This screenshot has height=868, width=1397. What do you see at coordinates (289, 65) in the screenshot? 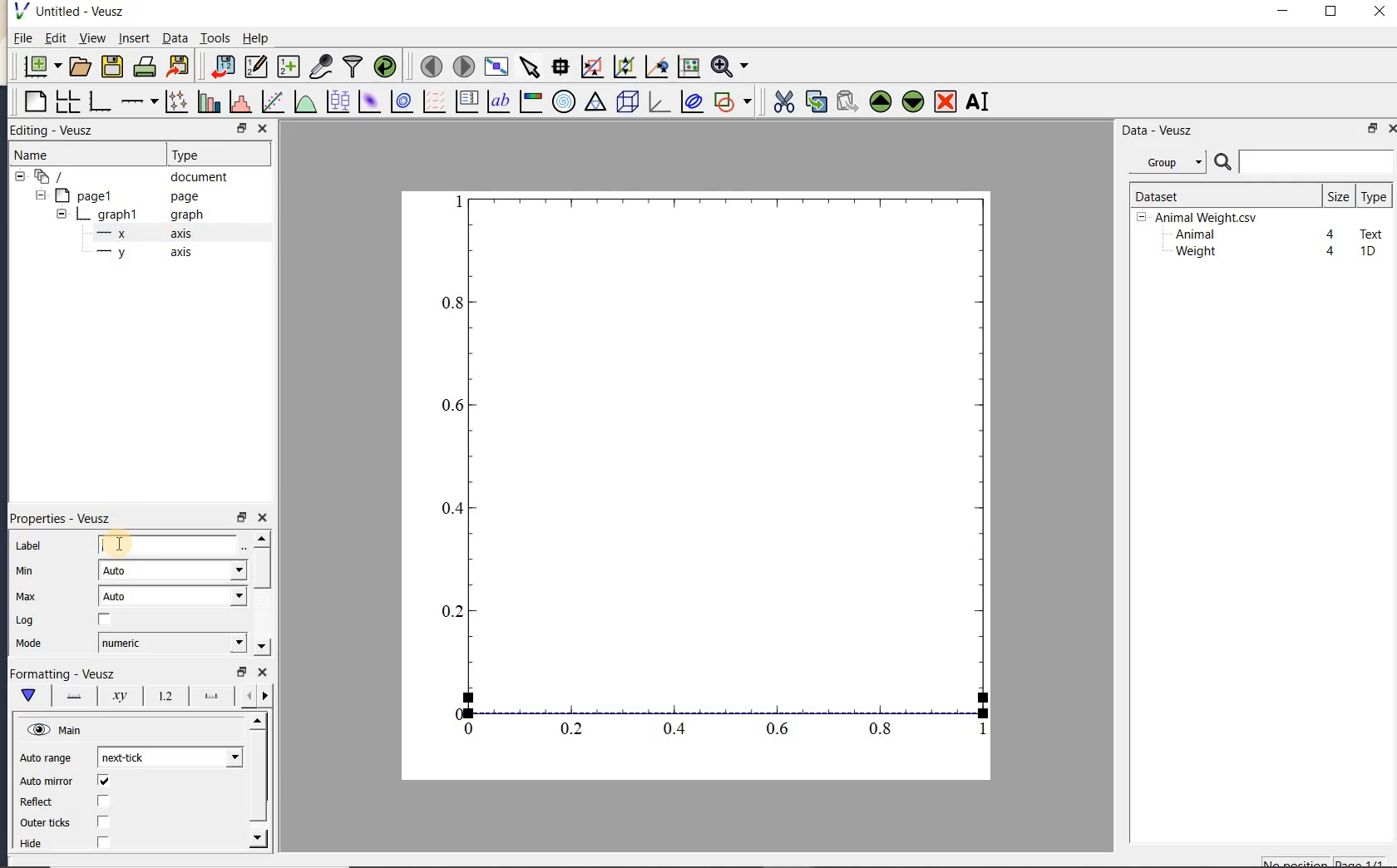
I see `create new datasets` at bounding box center [289, 65].